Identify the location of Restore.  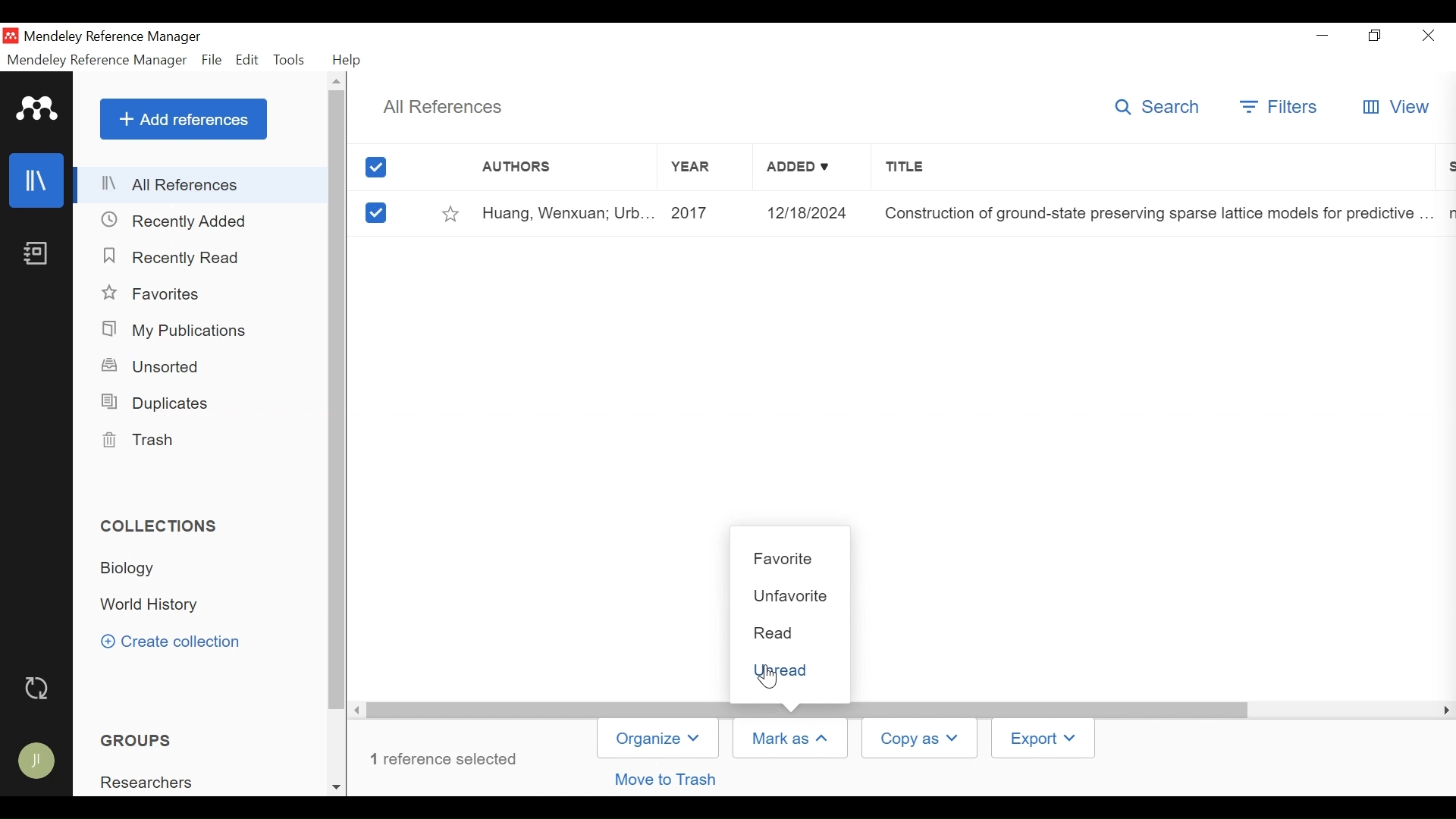
(1376, 34).